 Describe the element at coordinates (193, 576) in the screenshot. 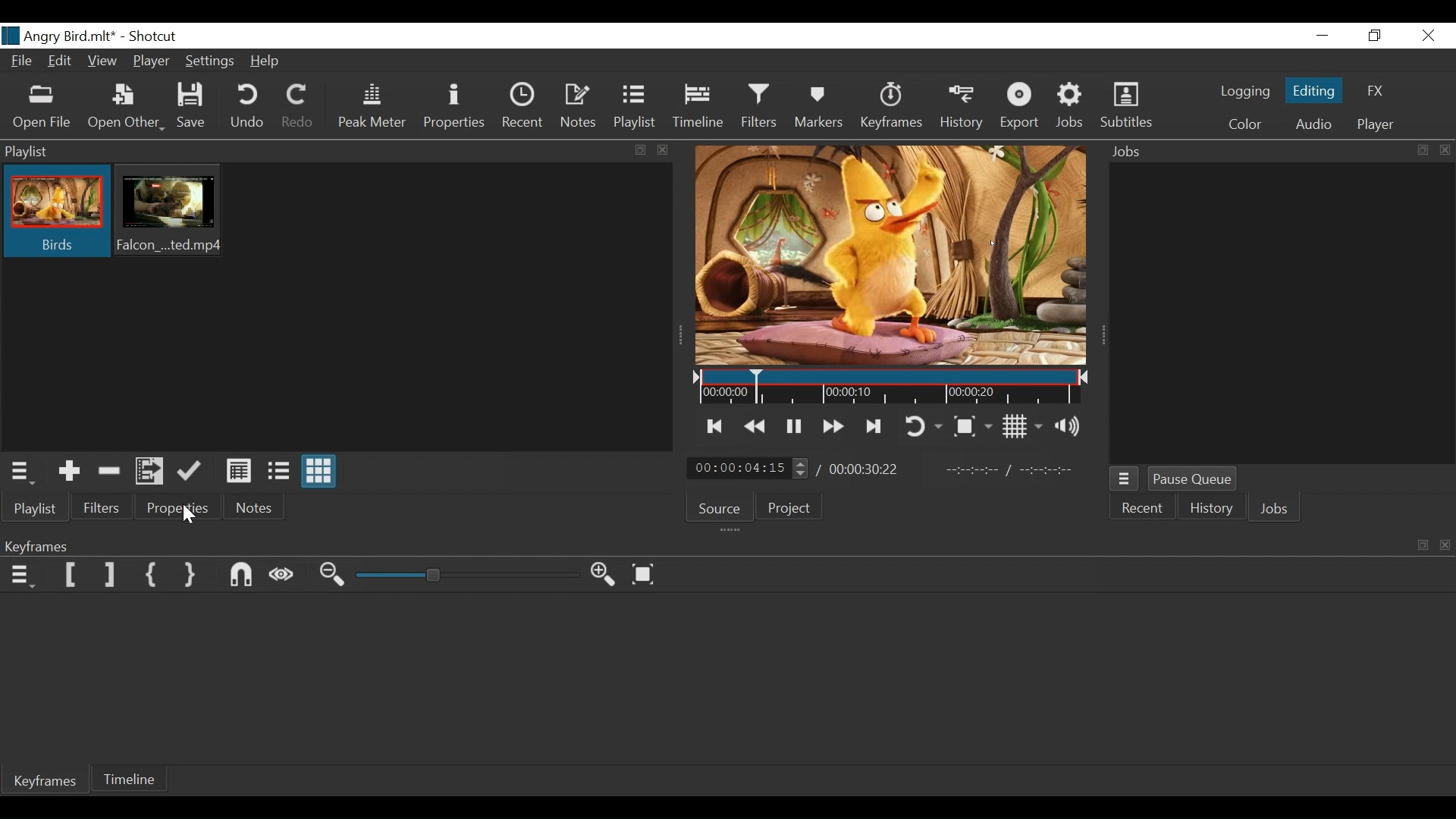

I see `Set Second Simple Keyframe` at that location.